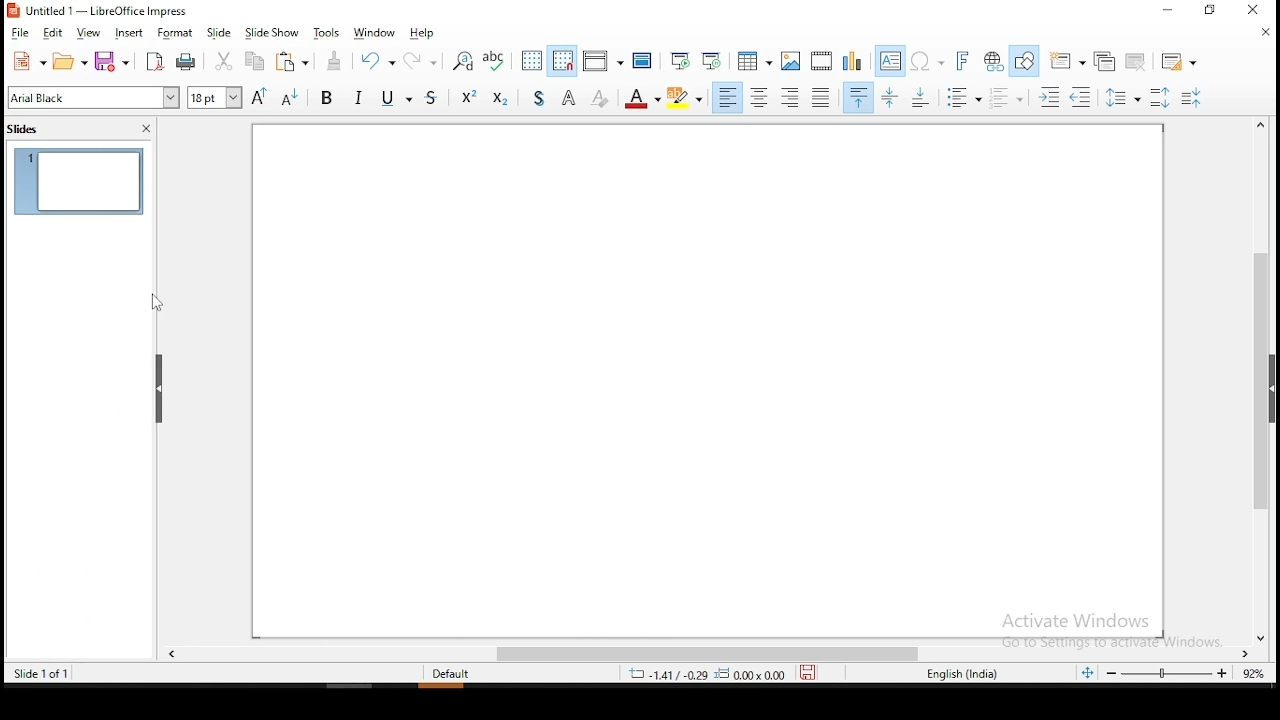  I want to click on cut, so click(222, 61).